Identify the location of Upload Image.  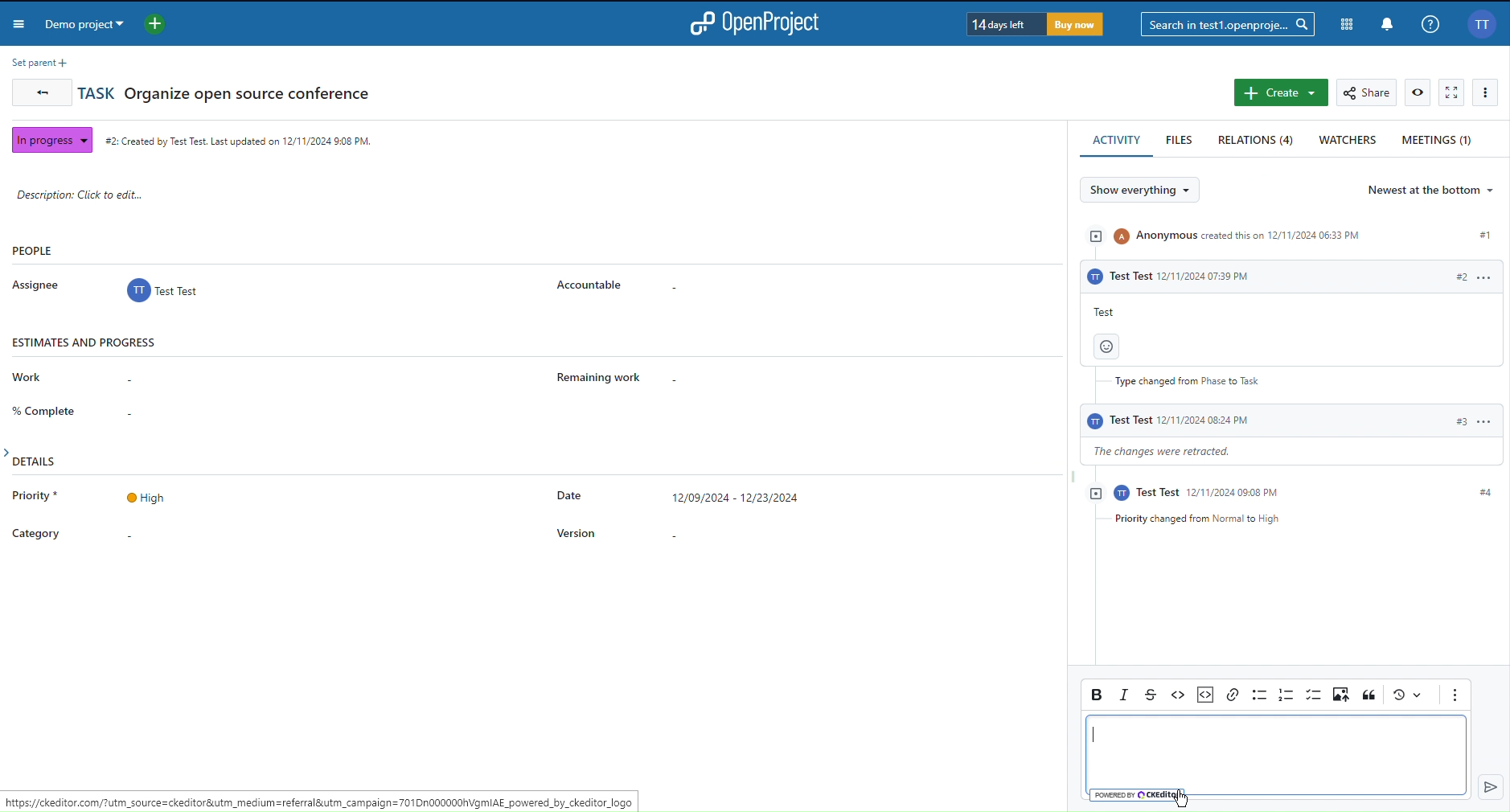
(1343, 695).